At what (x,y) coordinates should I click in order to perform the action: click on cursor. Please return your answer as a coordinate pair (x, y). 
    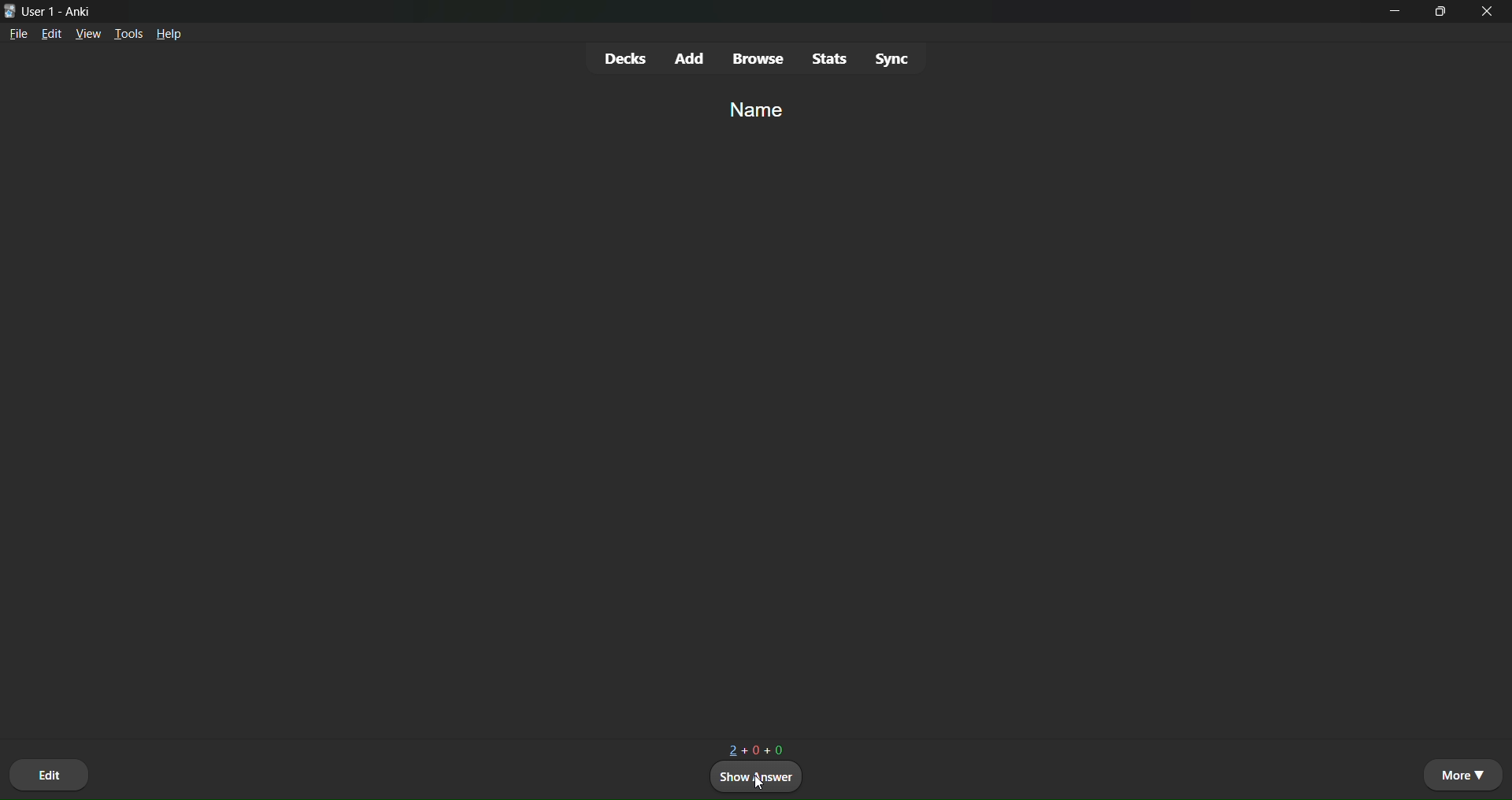
    Looking at the image, I should click on (758, 781).